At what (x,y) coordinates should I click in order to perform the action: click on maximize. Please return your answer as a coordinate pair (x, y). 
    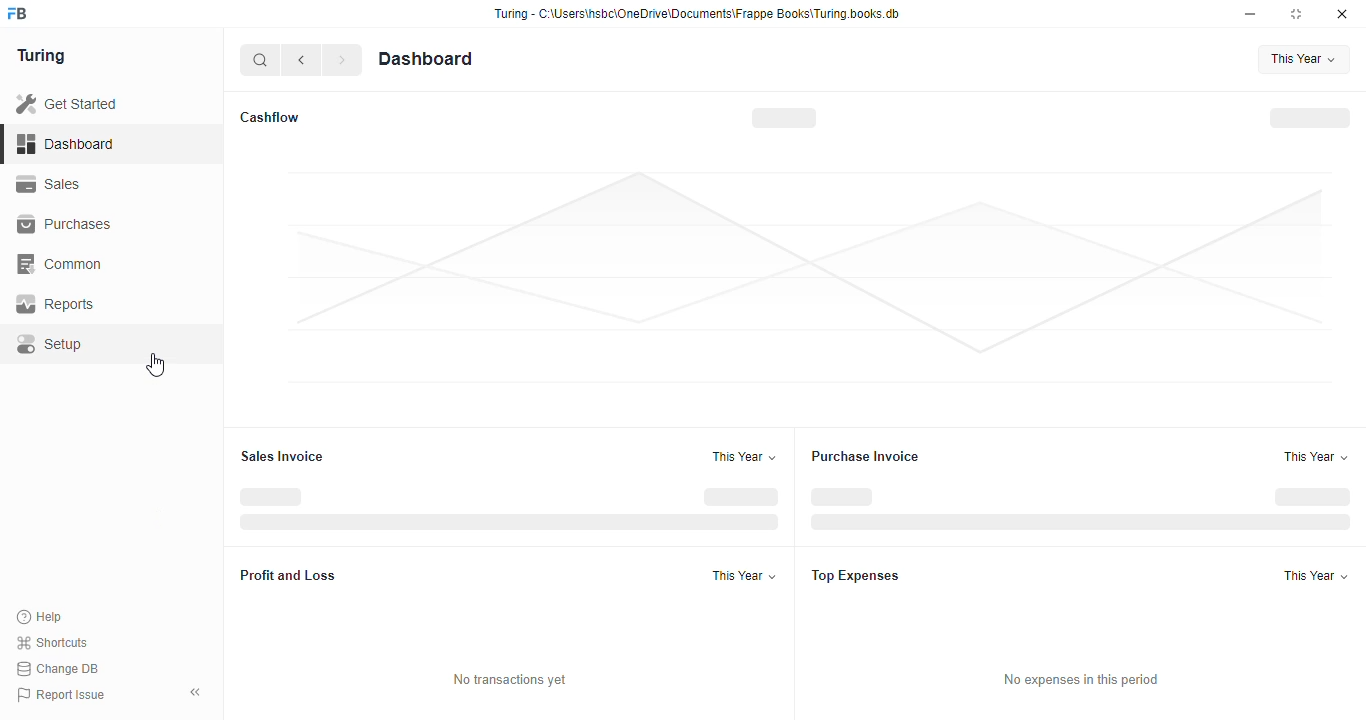
    Looking at the image, I should click on (1296, 14).